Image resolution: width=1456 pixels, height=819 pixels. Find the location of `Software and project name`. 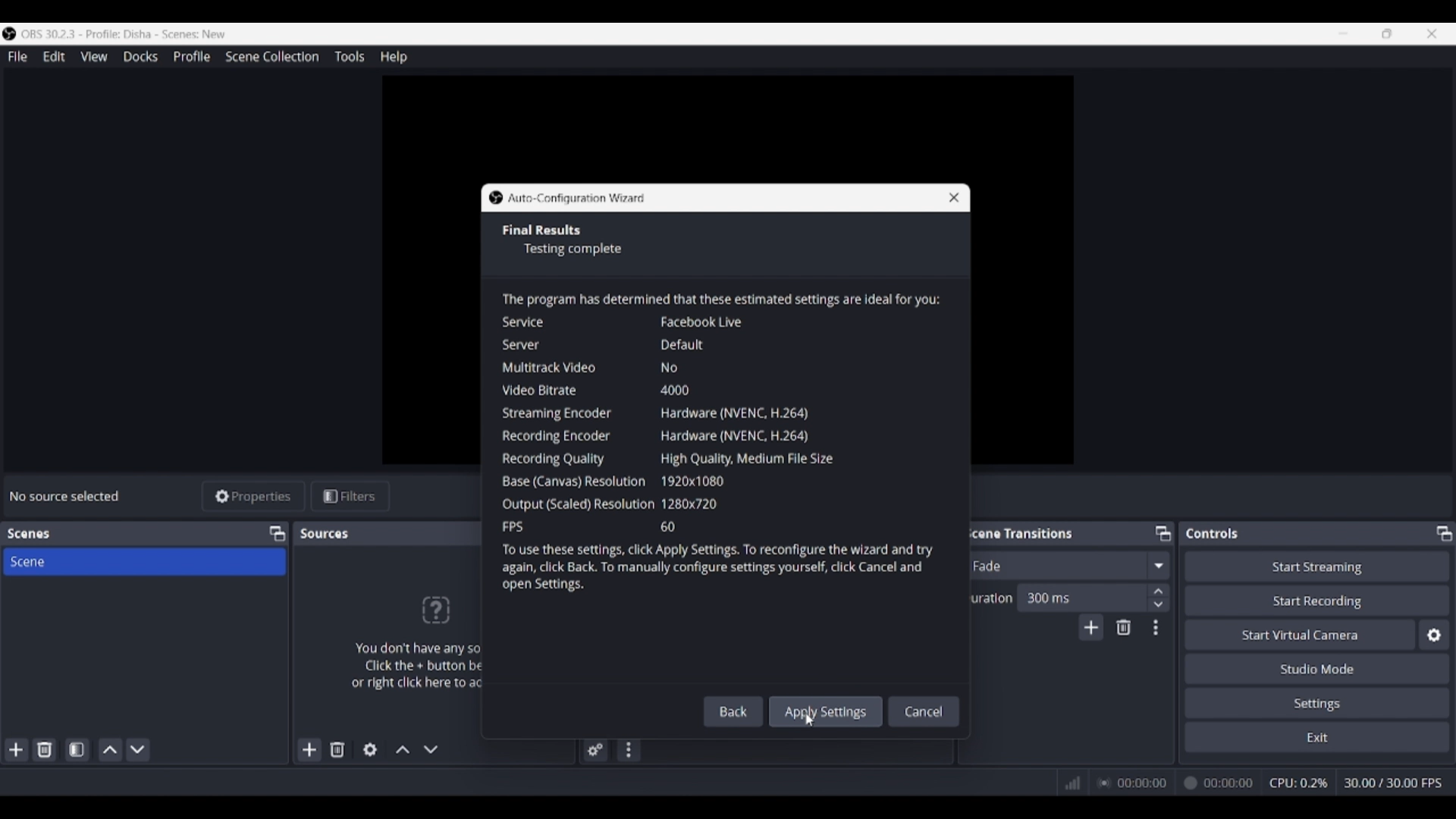

Software and project name is located at coordinates (130, 34).